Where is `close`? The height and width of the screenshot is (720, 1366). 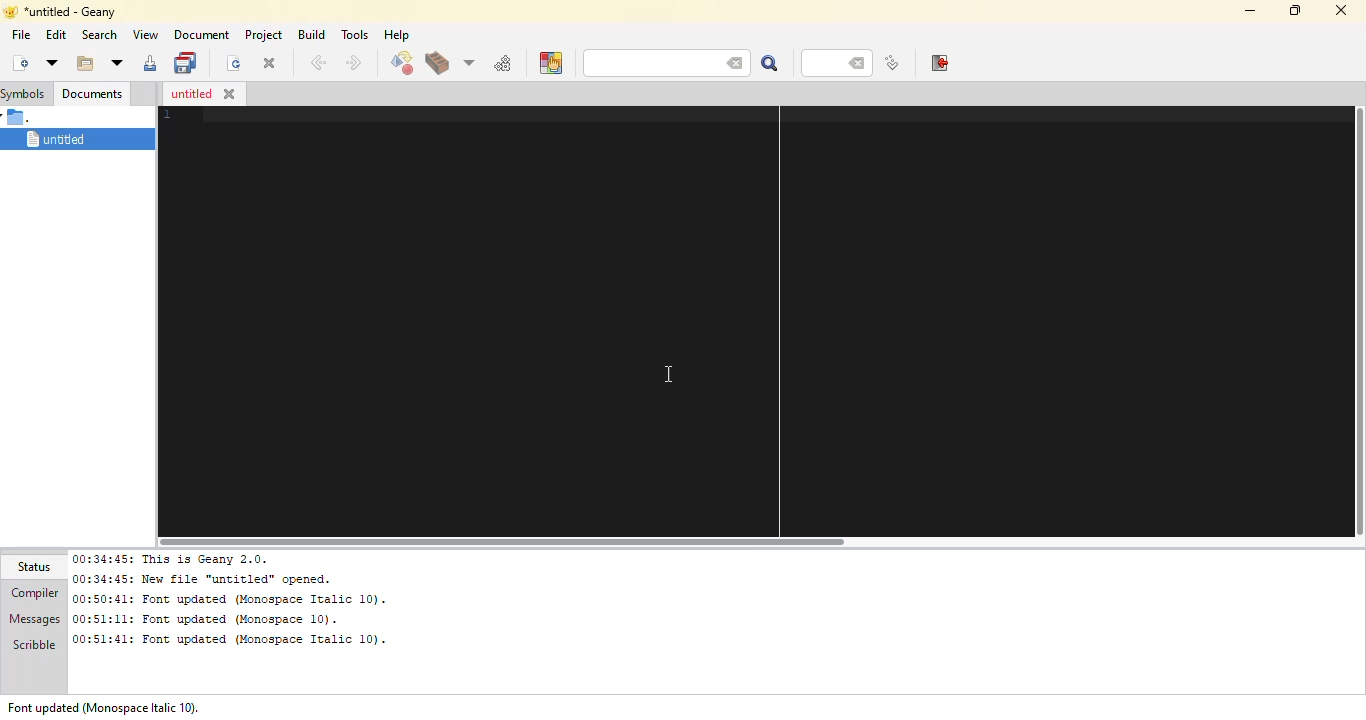 close is located at coordinates (269, 64).